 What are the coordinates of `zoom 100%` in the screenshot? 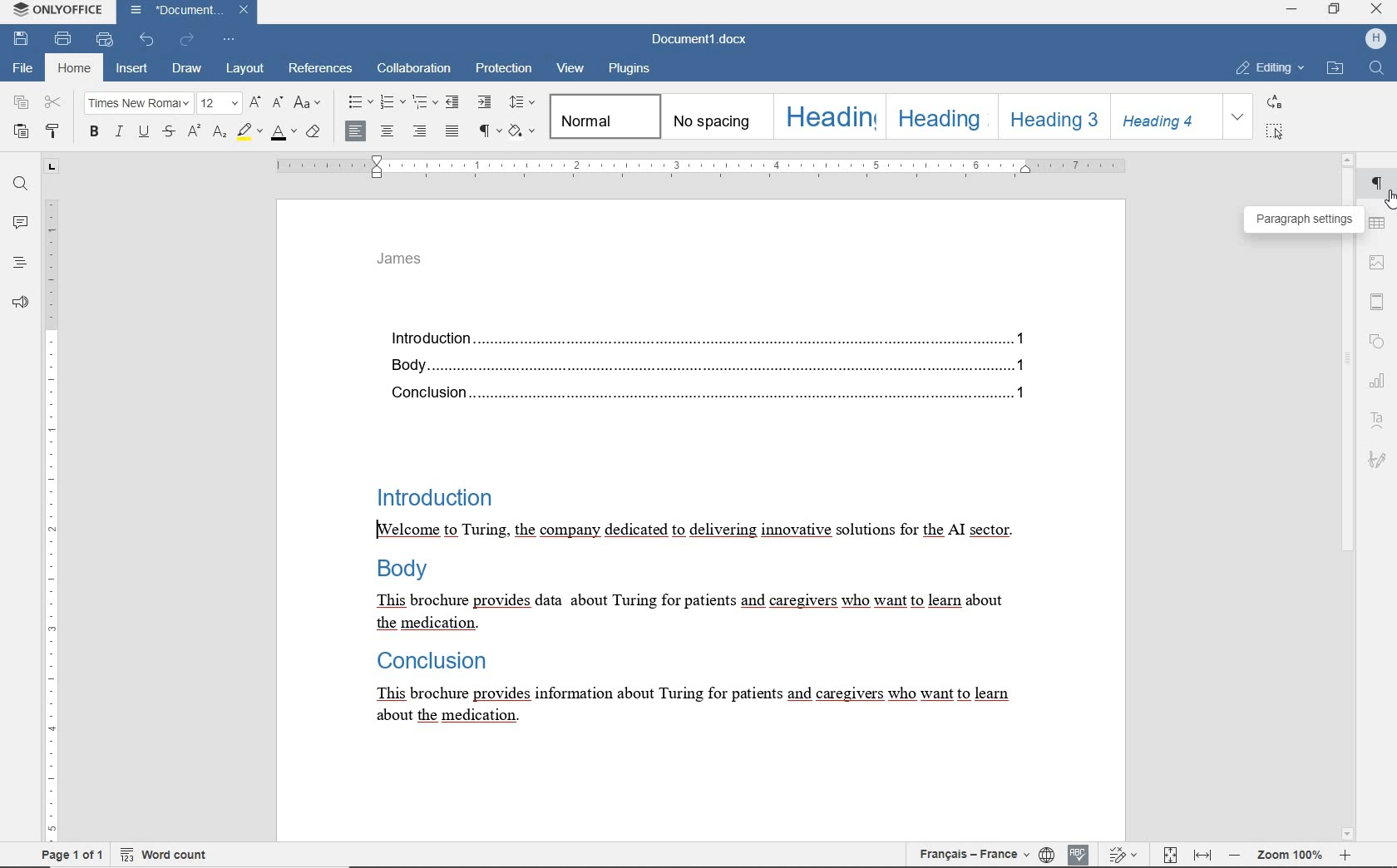 It's located at (1293, 856).